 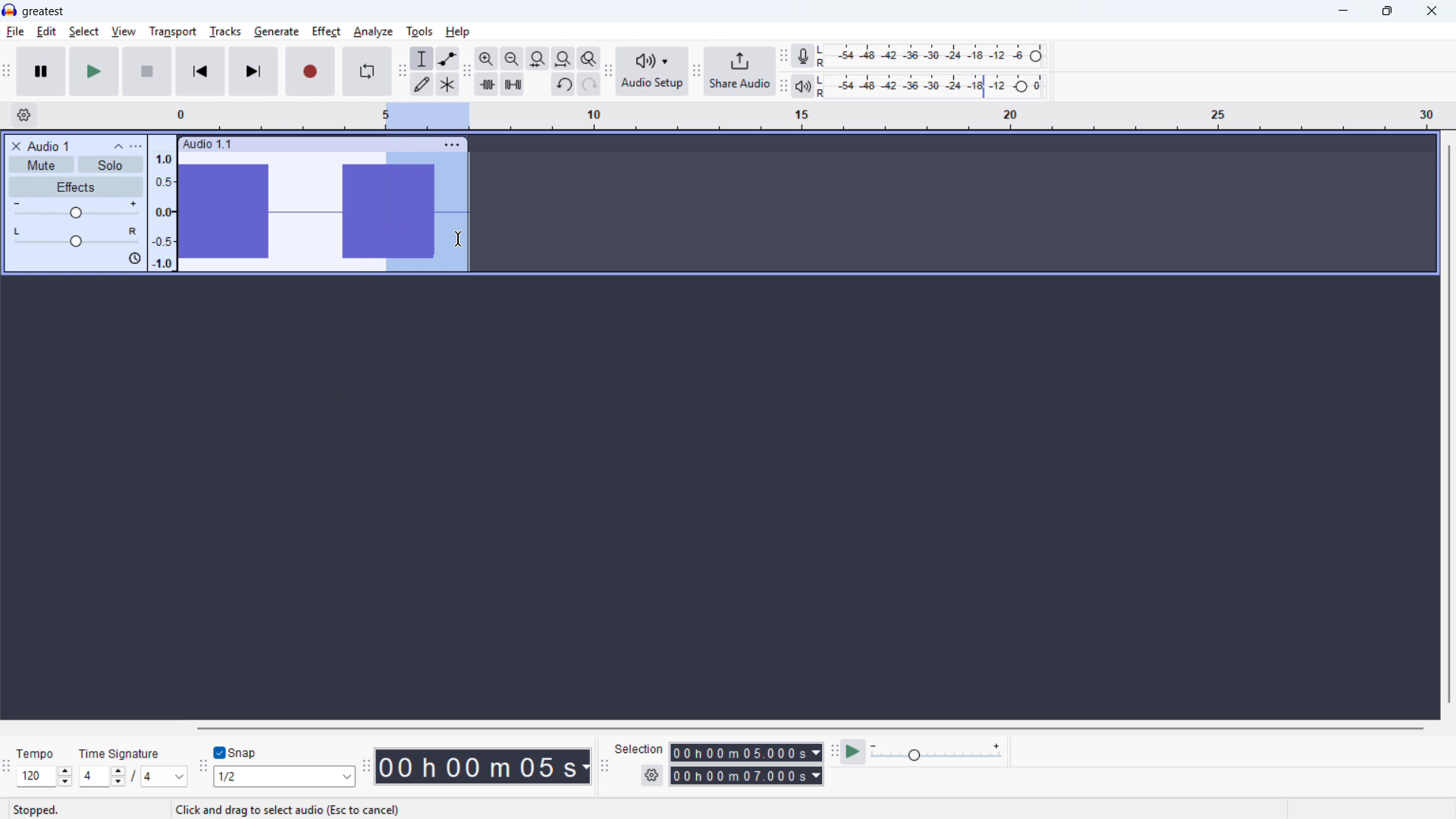 What do you see at coordinates (367, 71) in the screenshot?
I see `Enable looping ` at bounding box center [367, 71].